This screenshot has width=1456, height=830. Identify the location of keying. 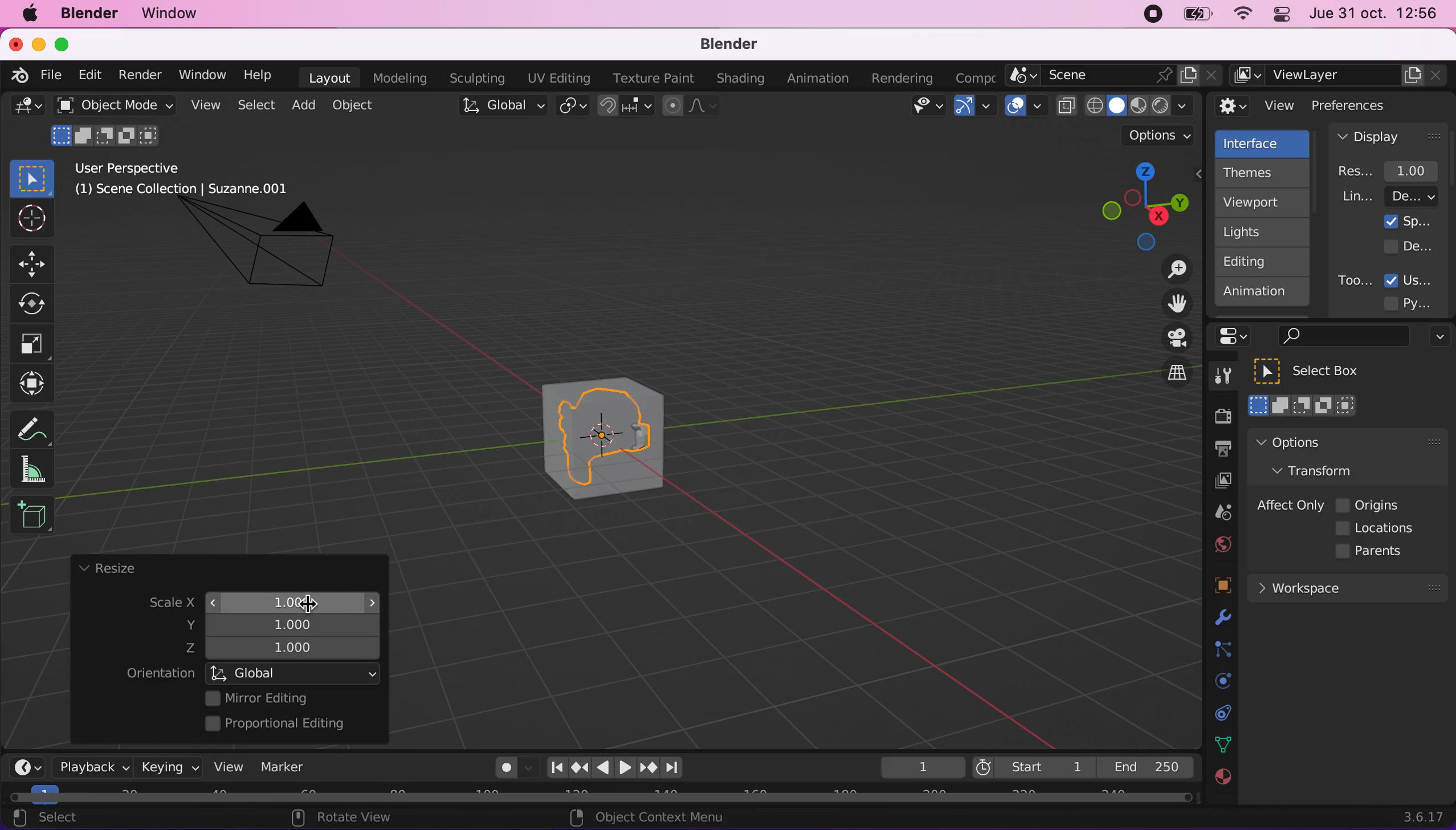
(168, 767).